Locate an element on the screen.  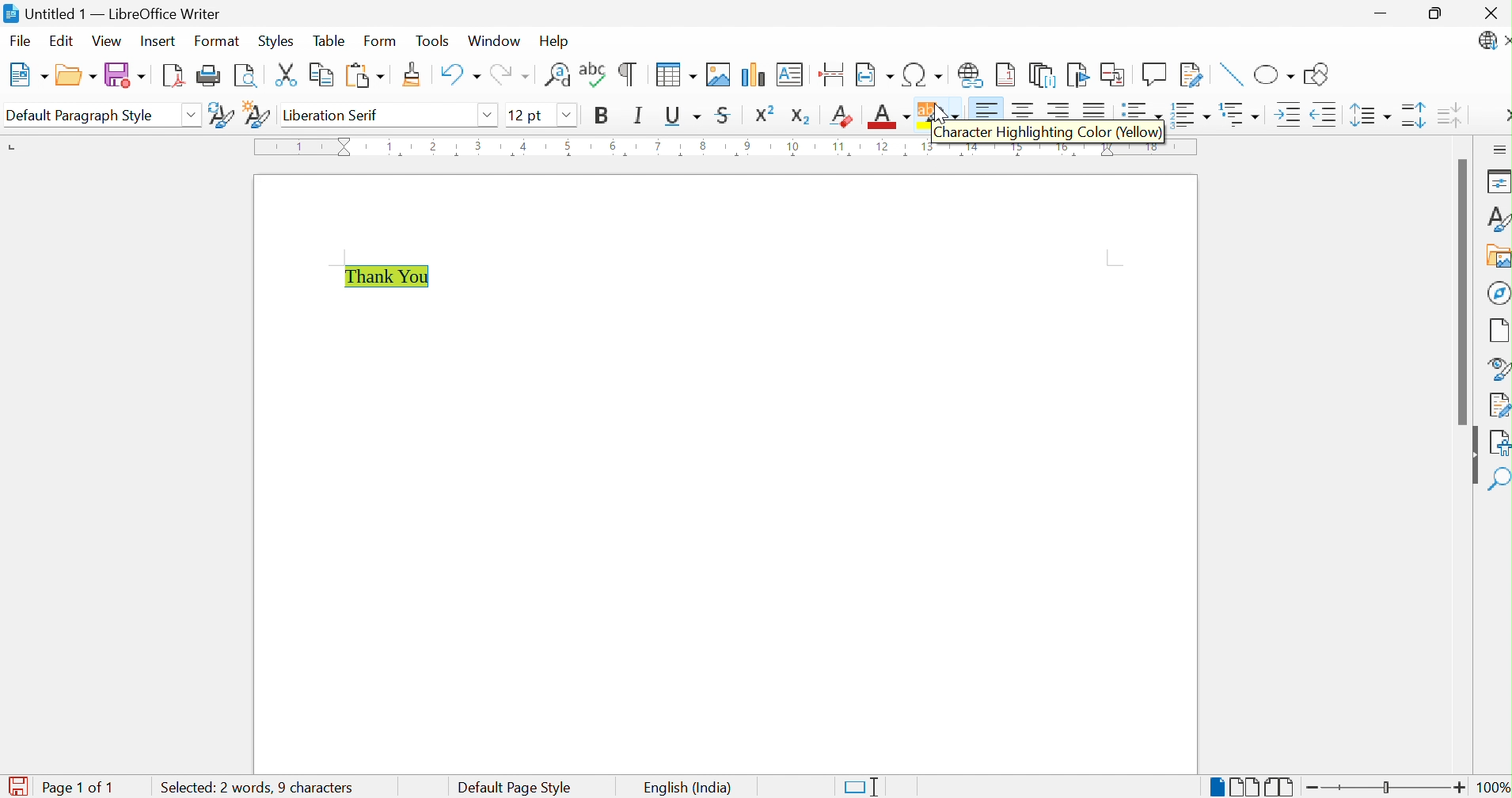
Strikethrough is located at coordinates (725, 113).